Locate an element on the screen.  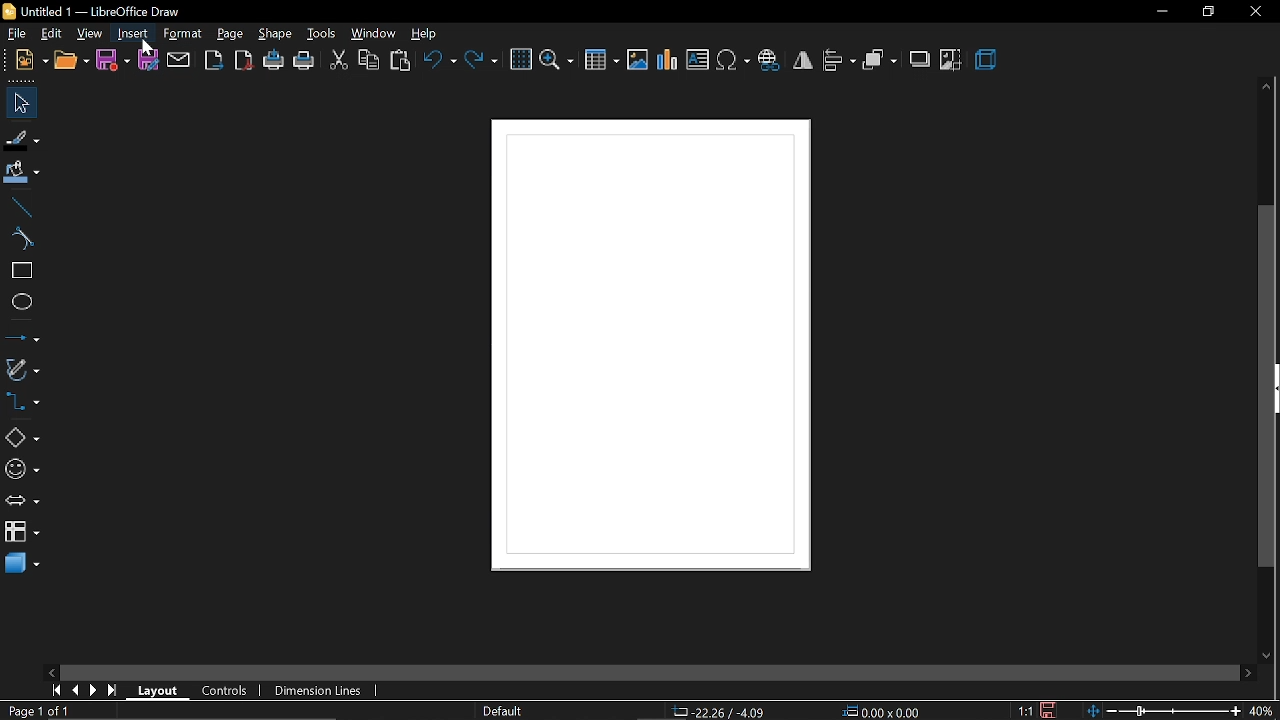
fill line is located at coordinates (23, 138).